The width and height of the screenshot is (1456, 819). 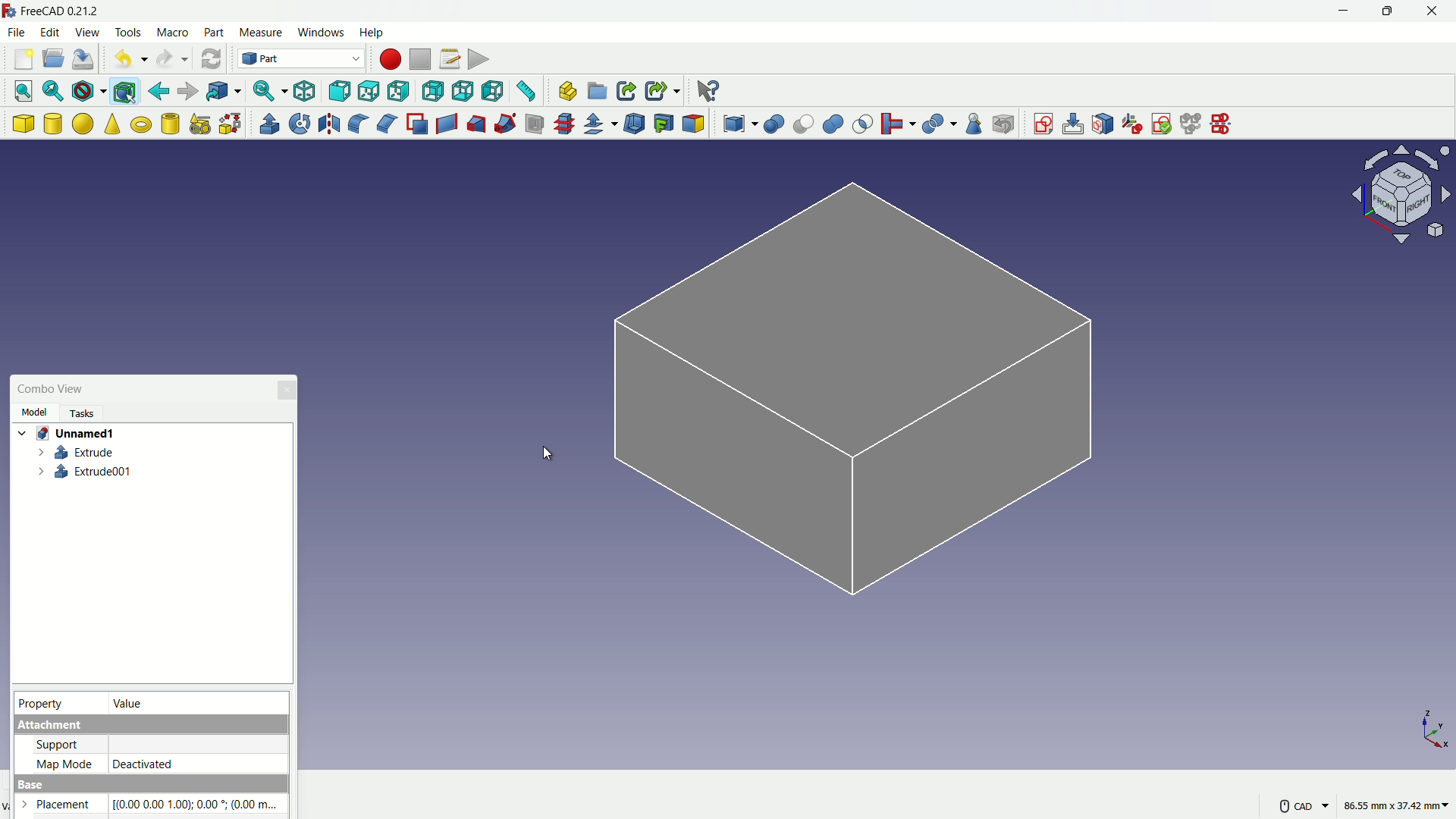 I want to click on isometric view, so click(x=305, y=92).